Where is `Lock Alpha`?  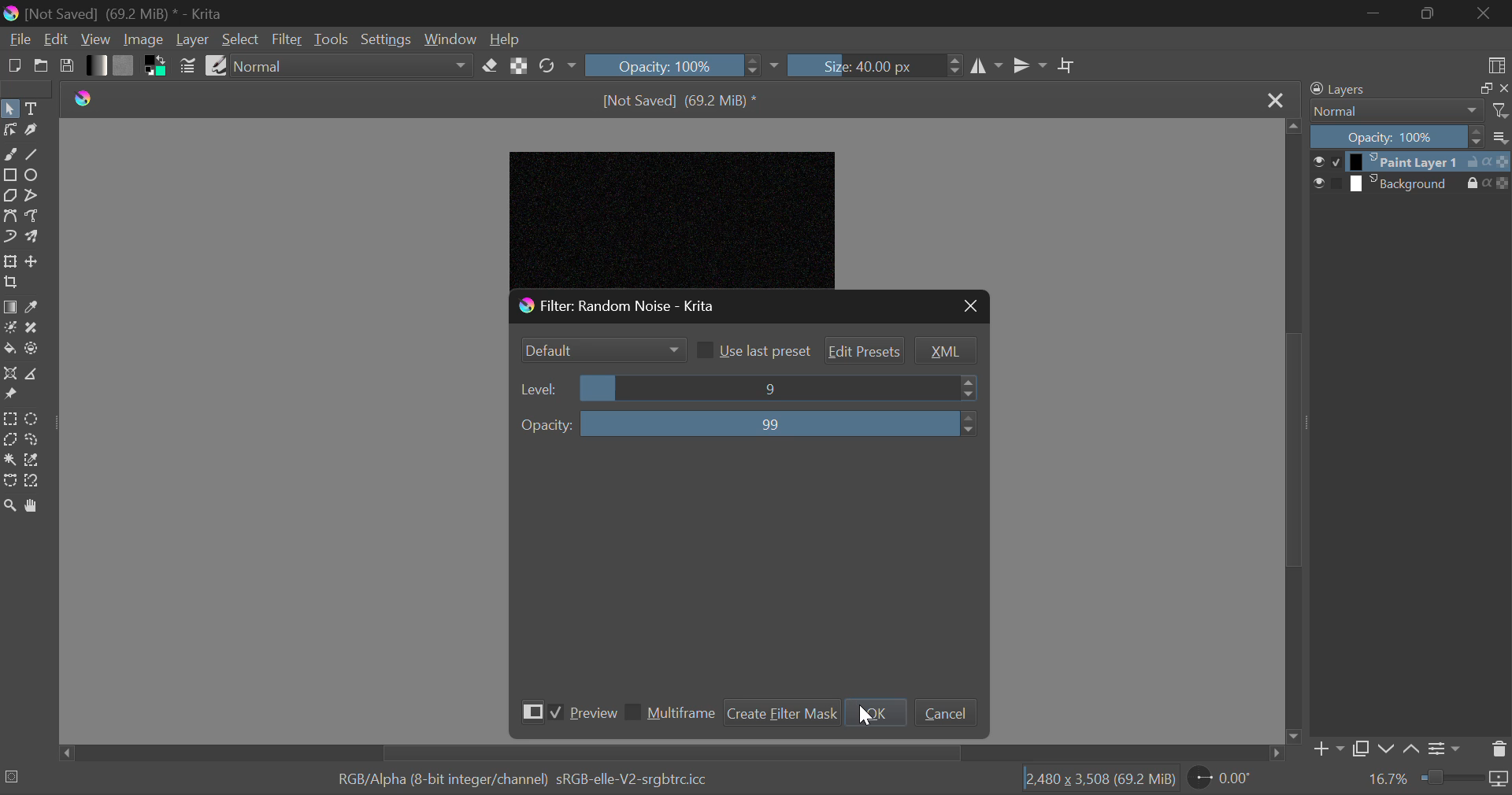 Lock Alpha is located at coordinates (519, 65).